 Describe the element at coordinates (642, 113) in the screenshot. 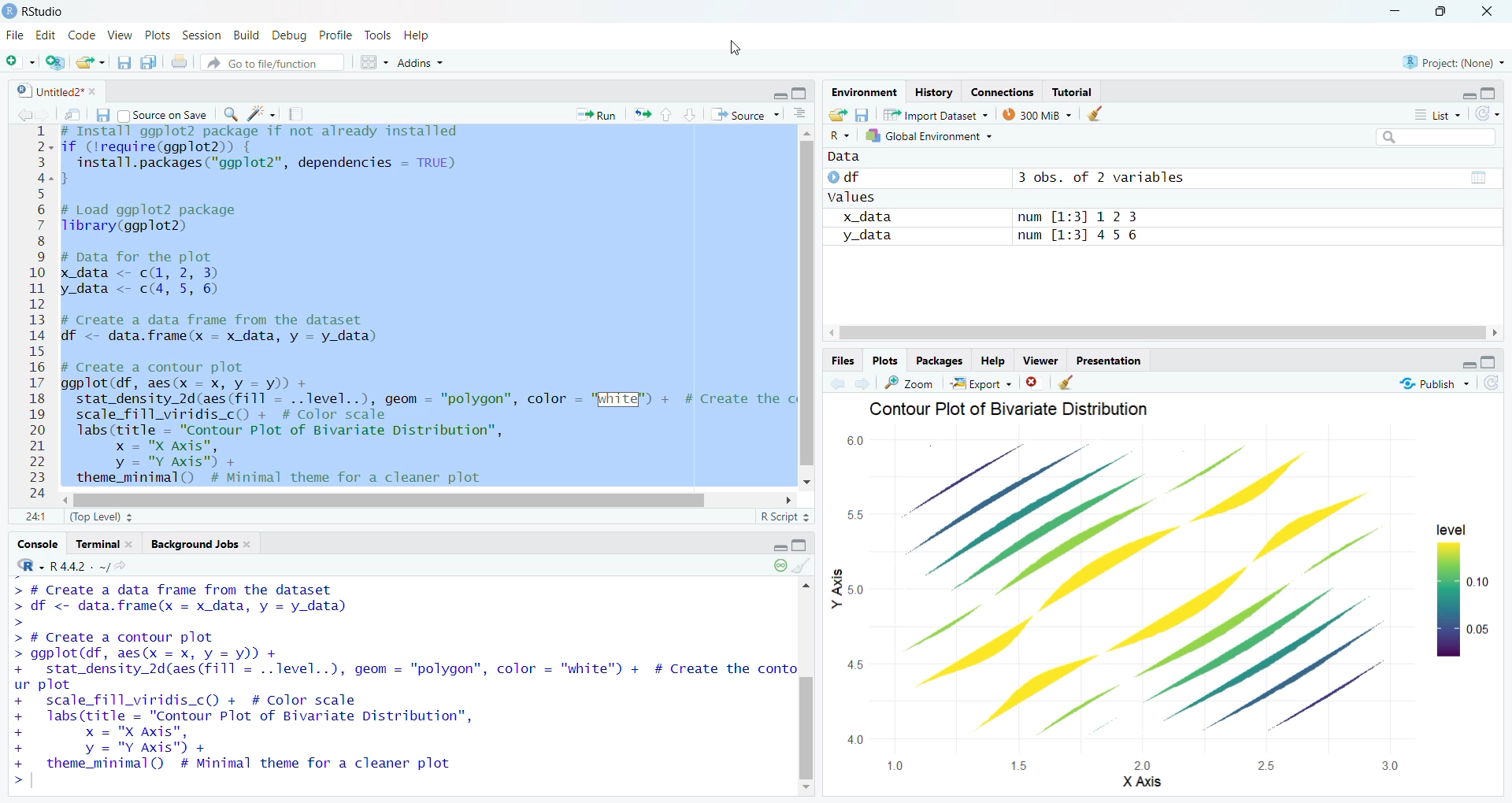

I see `re run the previous code` at that location.